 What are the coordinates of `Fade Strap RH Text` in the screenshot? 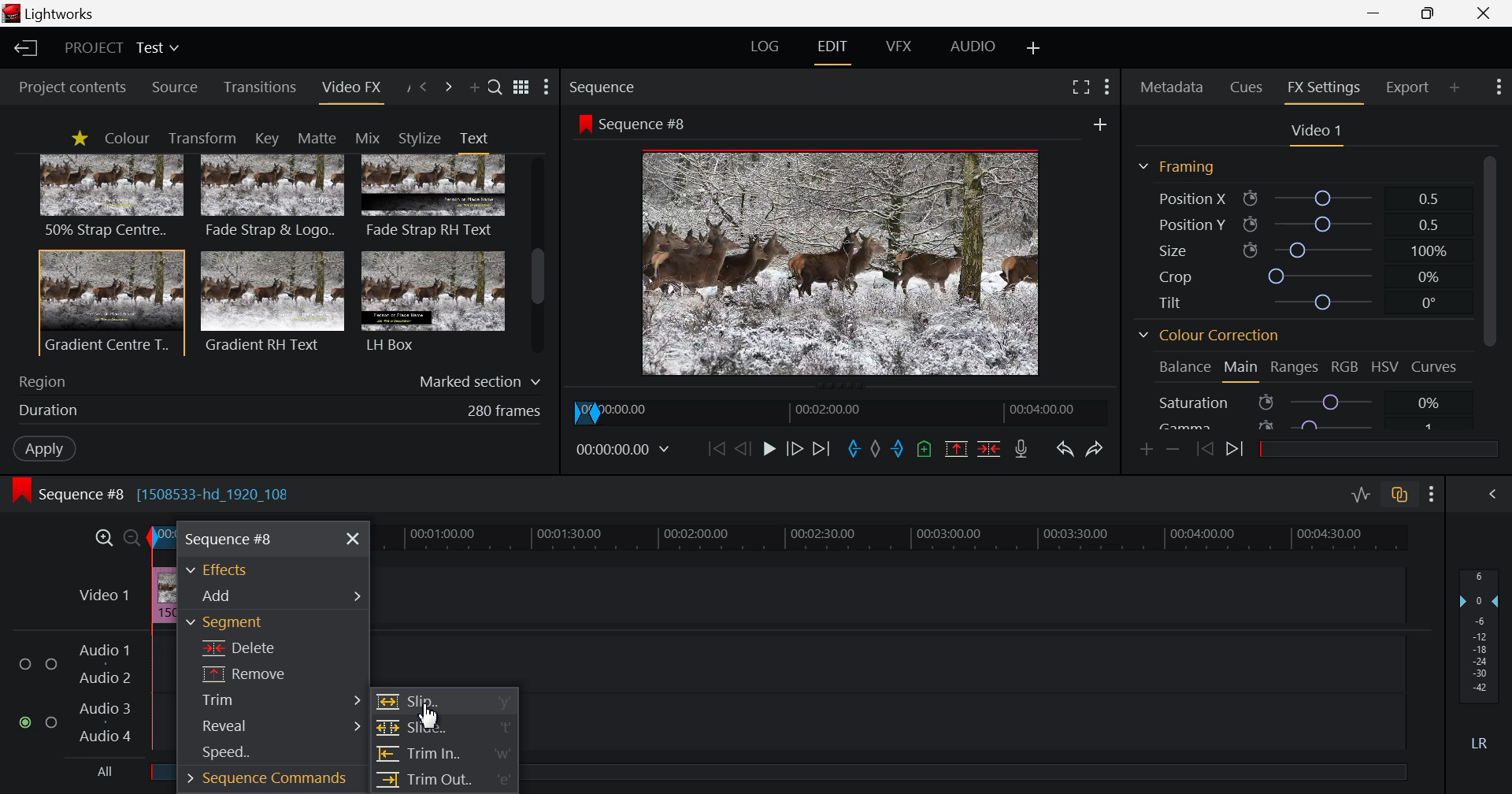 It's located at (435, 197).